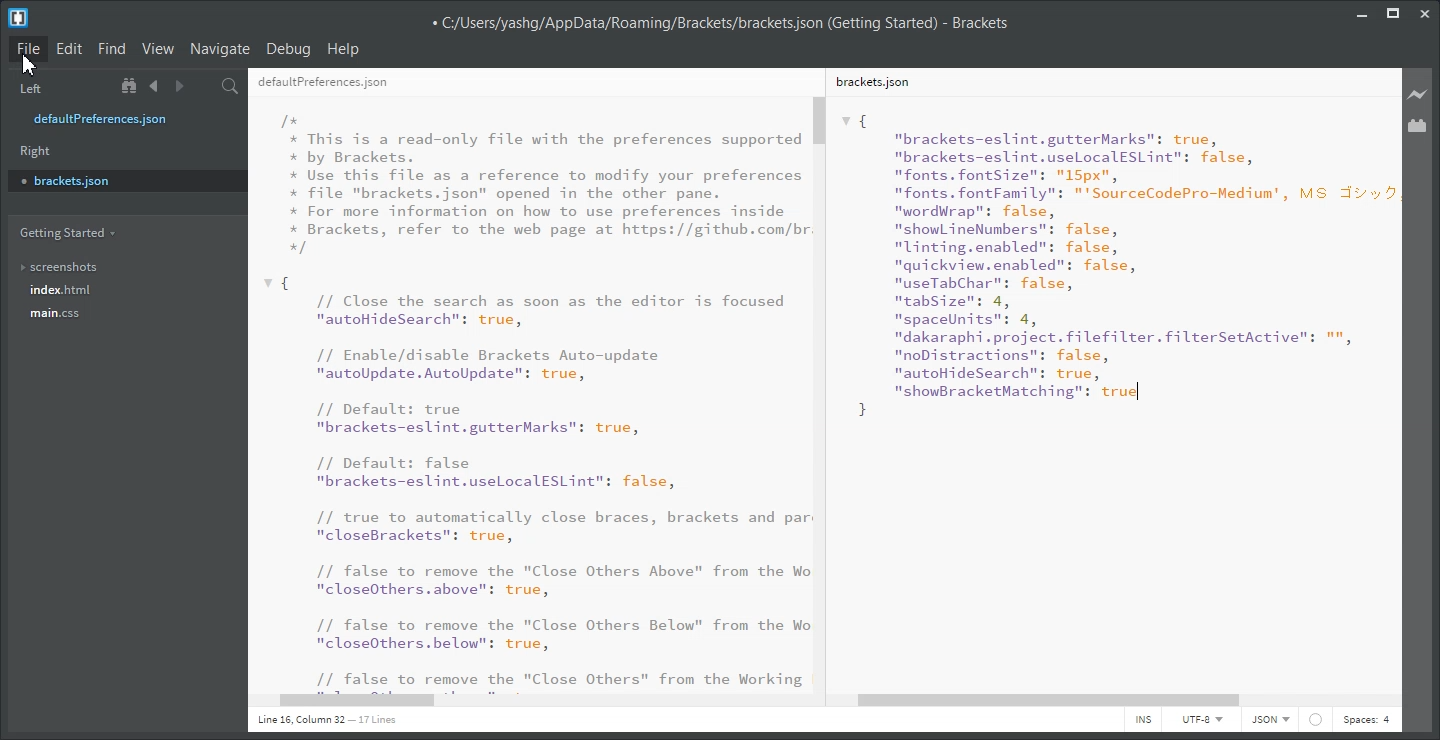 This screenshot has height=740, width=1440. I want to click on Split the editor vertically or Horizontally, so click(204, 86).